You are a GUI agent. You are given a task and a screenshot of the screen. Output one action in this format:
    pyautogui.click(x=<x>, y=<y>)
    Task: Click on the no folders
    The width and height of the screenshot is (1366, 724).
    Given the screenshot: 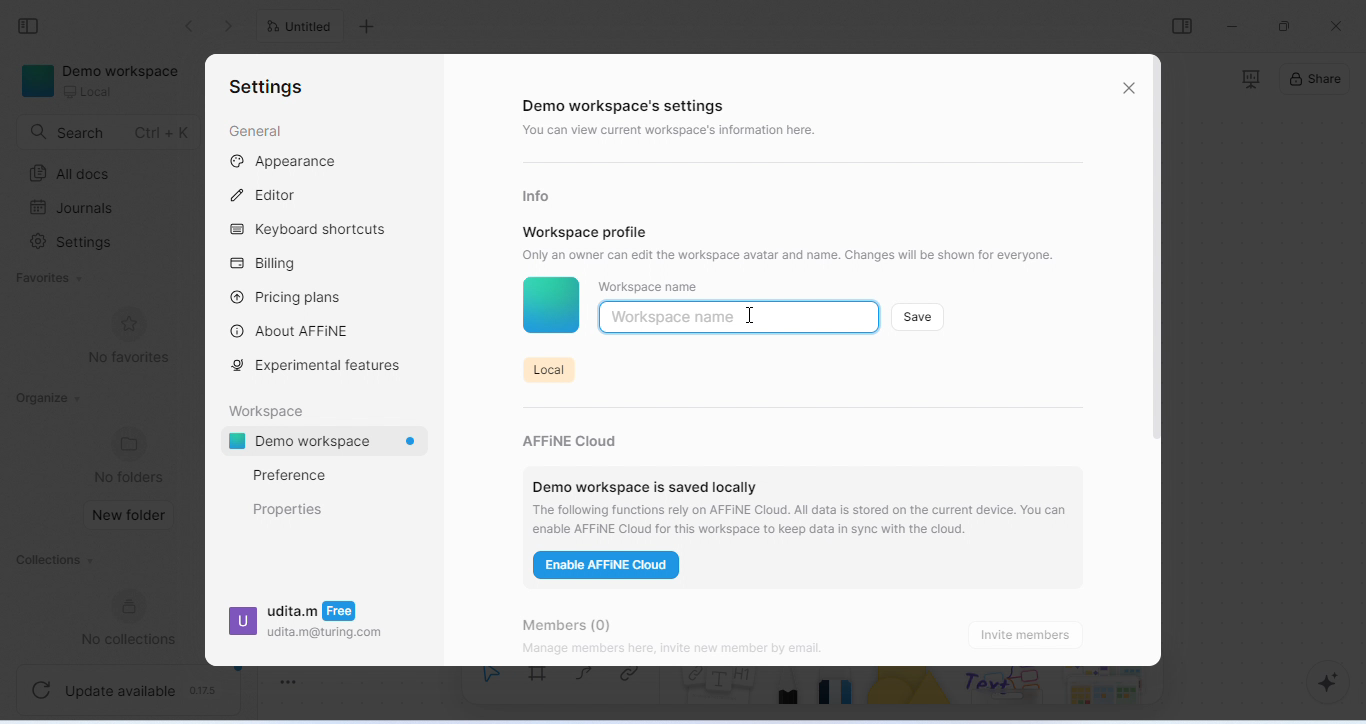 What is the action you would take?
    pyautogui.click(x=132, y=455)
    